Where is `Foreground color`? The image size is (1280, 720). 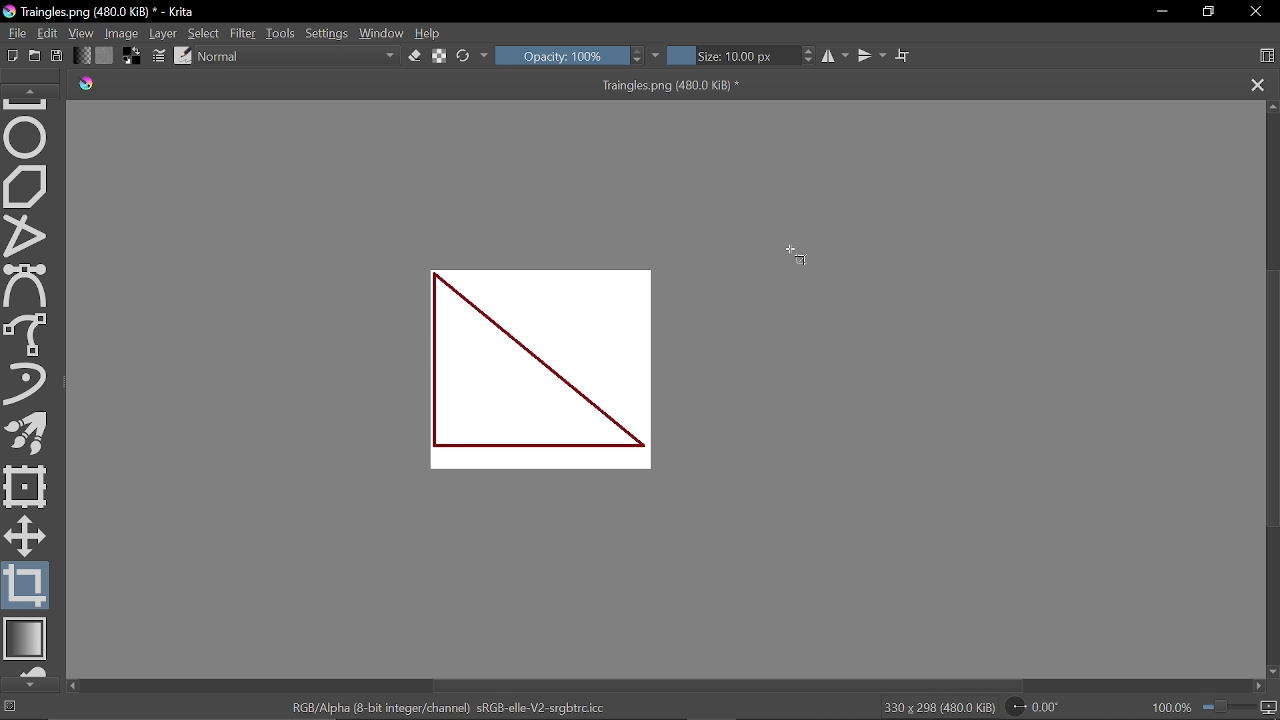
Foreground color is located at coordinates (133, 55).